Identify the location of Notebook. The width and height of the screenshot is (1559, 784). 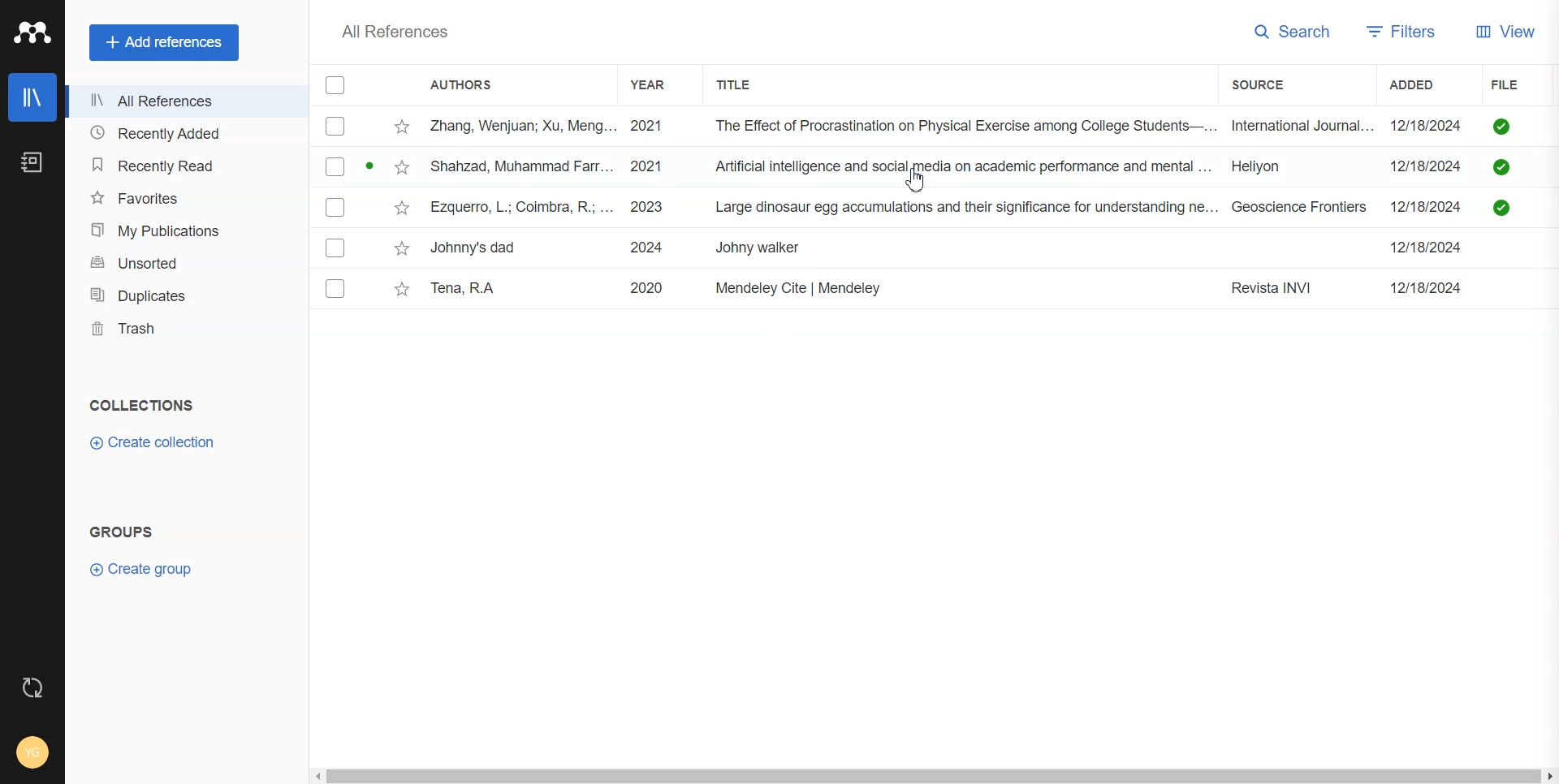
(32, 162).